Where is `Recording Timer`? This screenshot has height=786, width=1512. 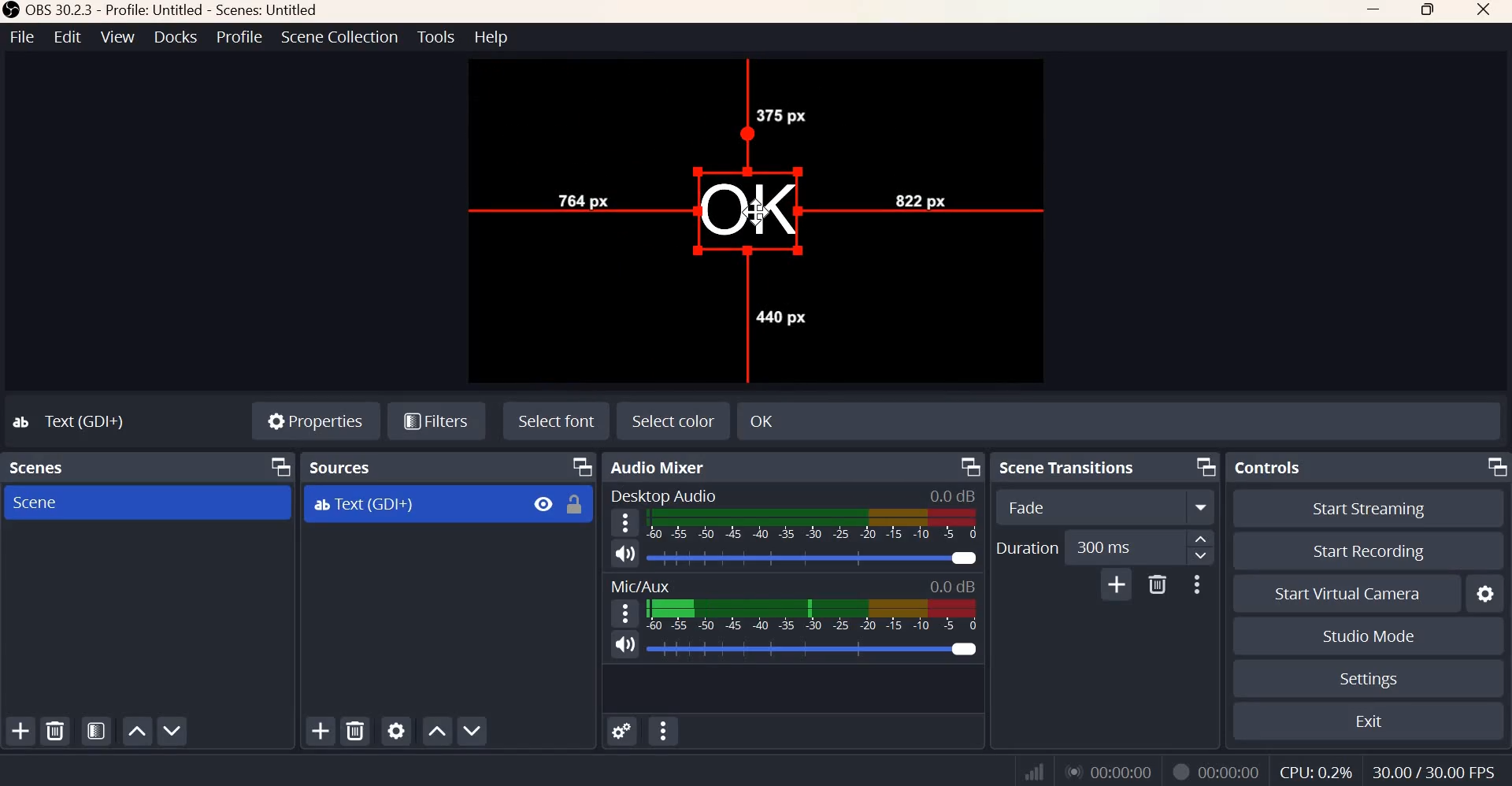 Recording Timer is located at coordinates (1232, 770).